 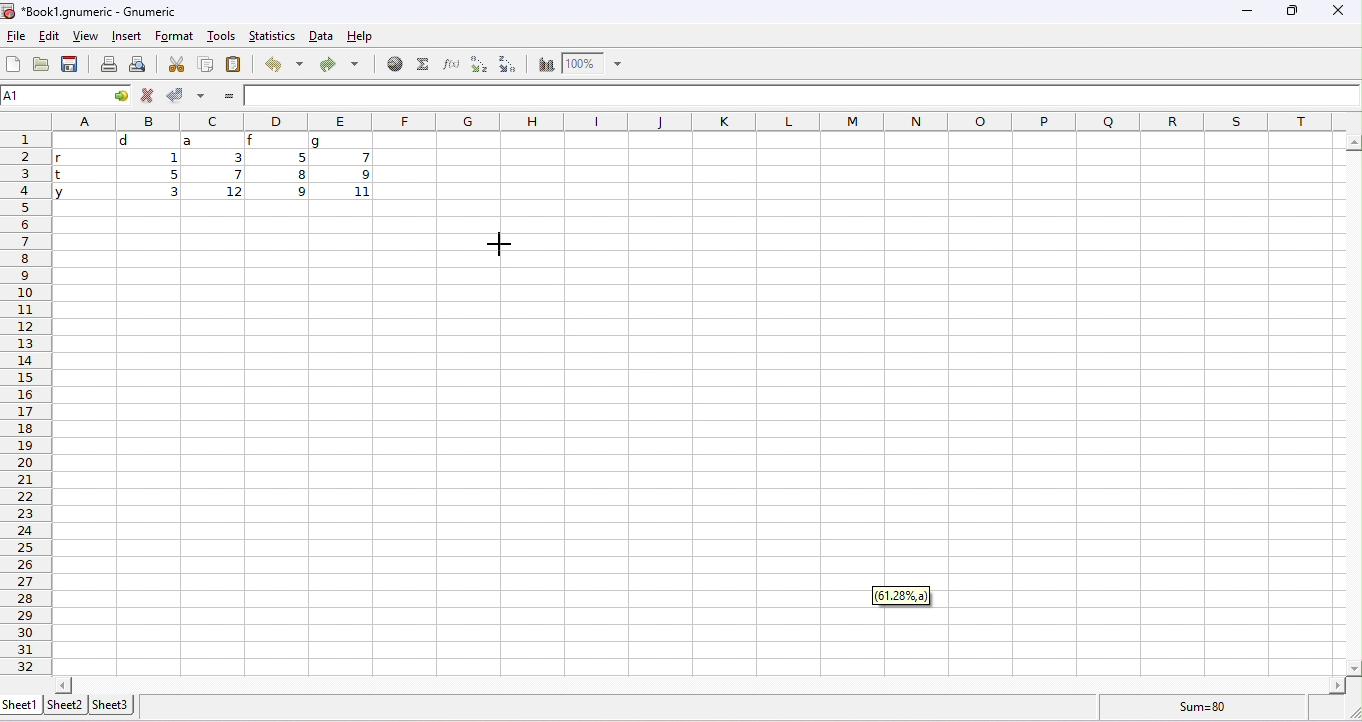 I want to click on =, so click(x=231, y=96).